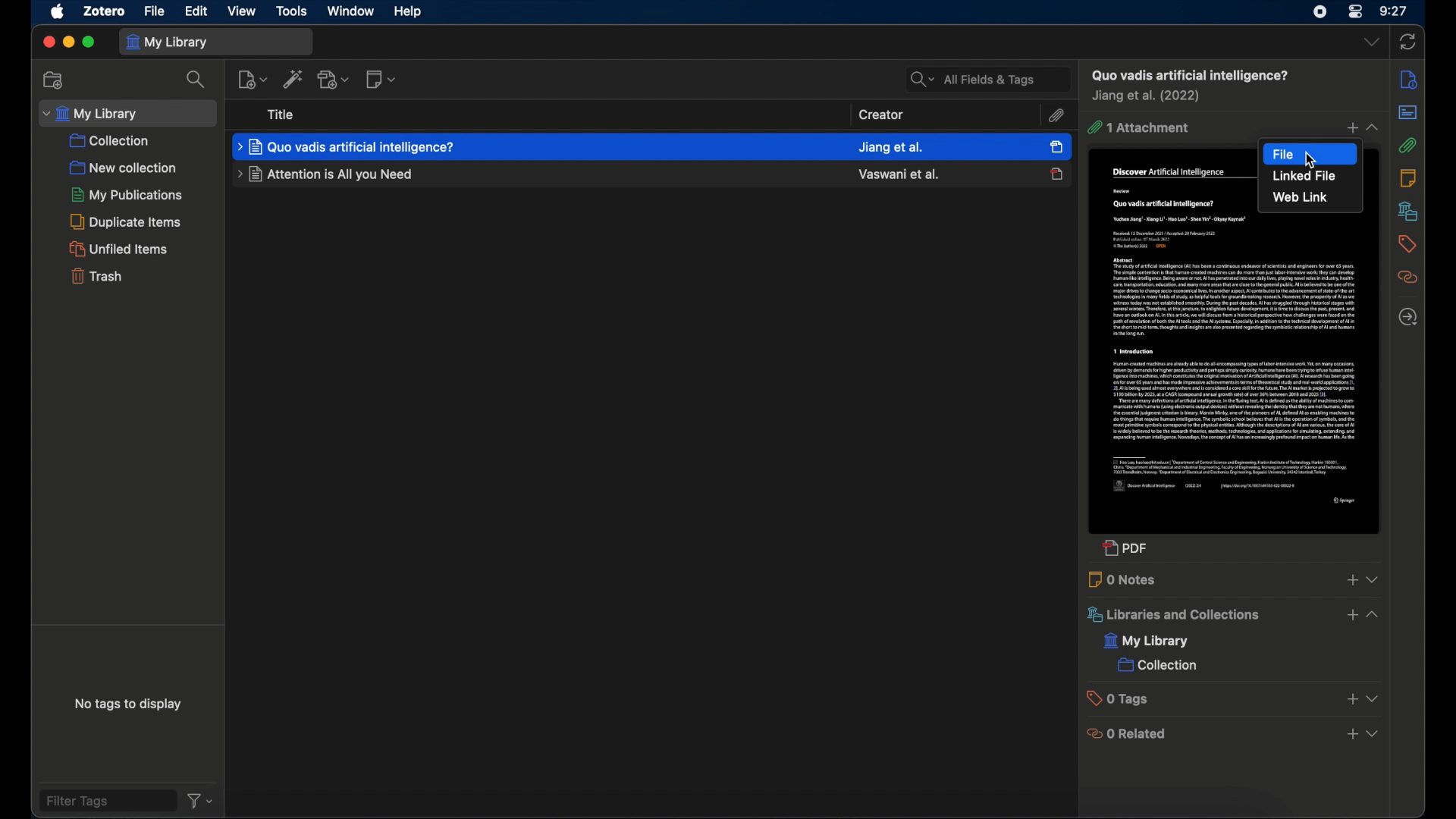 This screenshot has width=1456, height=819. Describe the element at coordinates (1056, 115) in the screenshot. I see `attachments` at that location.